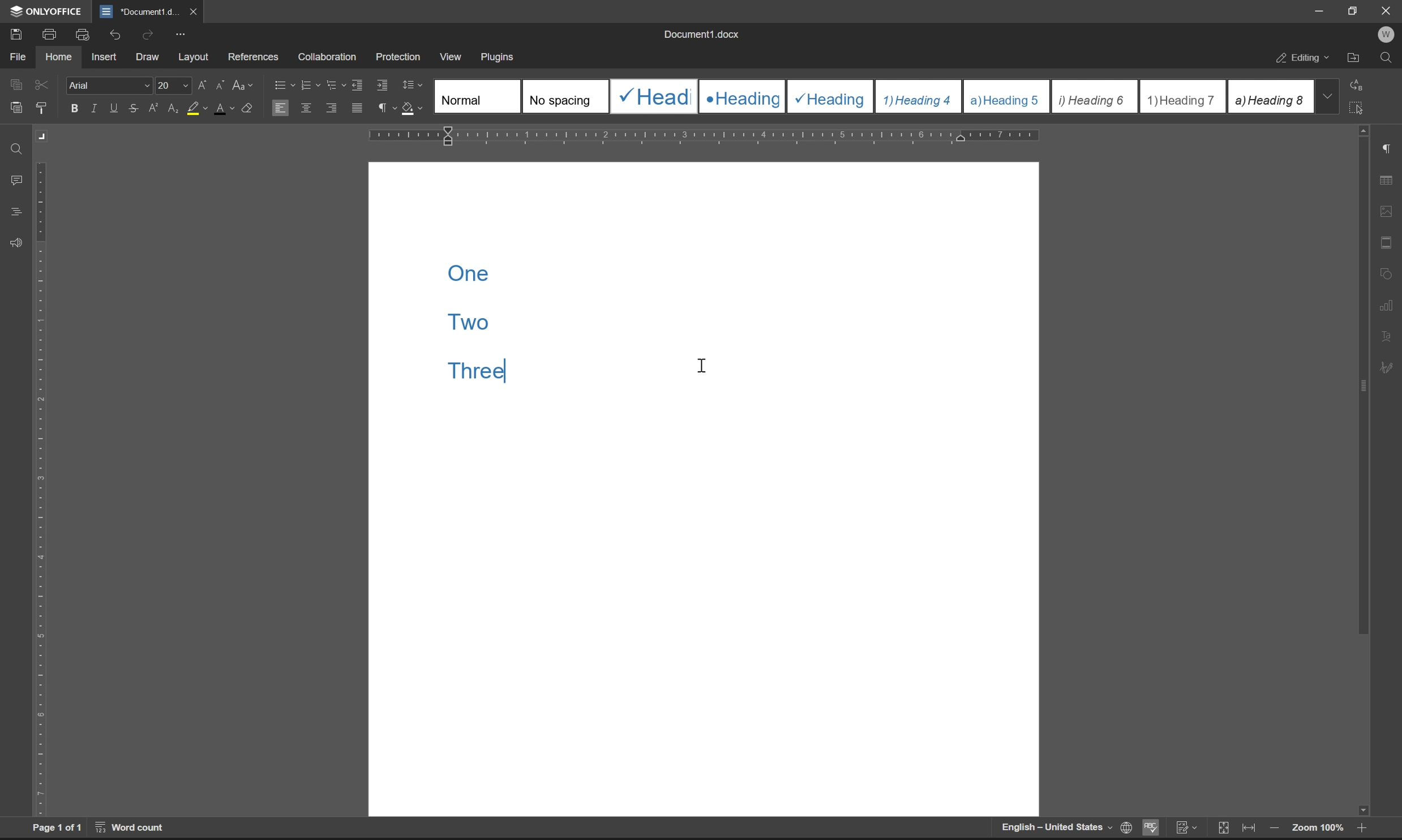 This screenshot has height=840, width=1402. I want to click on decrement font case, so click(217, 83).